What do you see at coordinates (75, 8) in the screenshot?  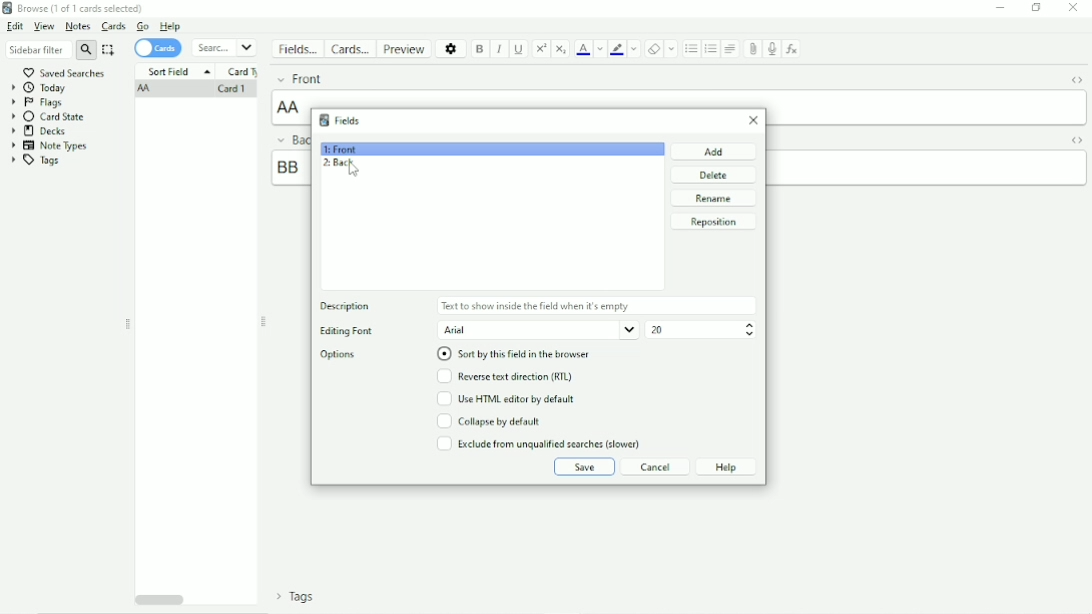 I see `Browse (1 of 1 cards selected)` at bounding box center [75, 8].